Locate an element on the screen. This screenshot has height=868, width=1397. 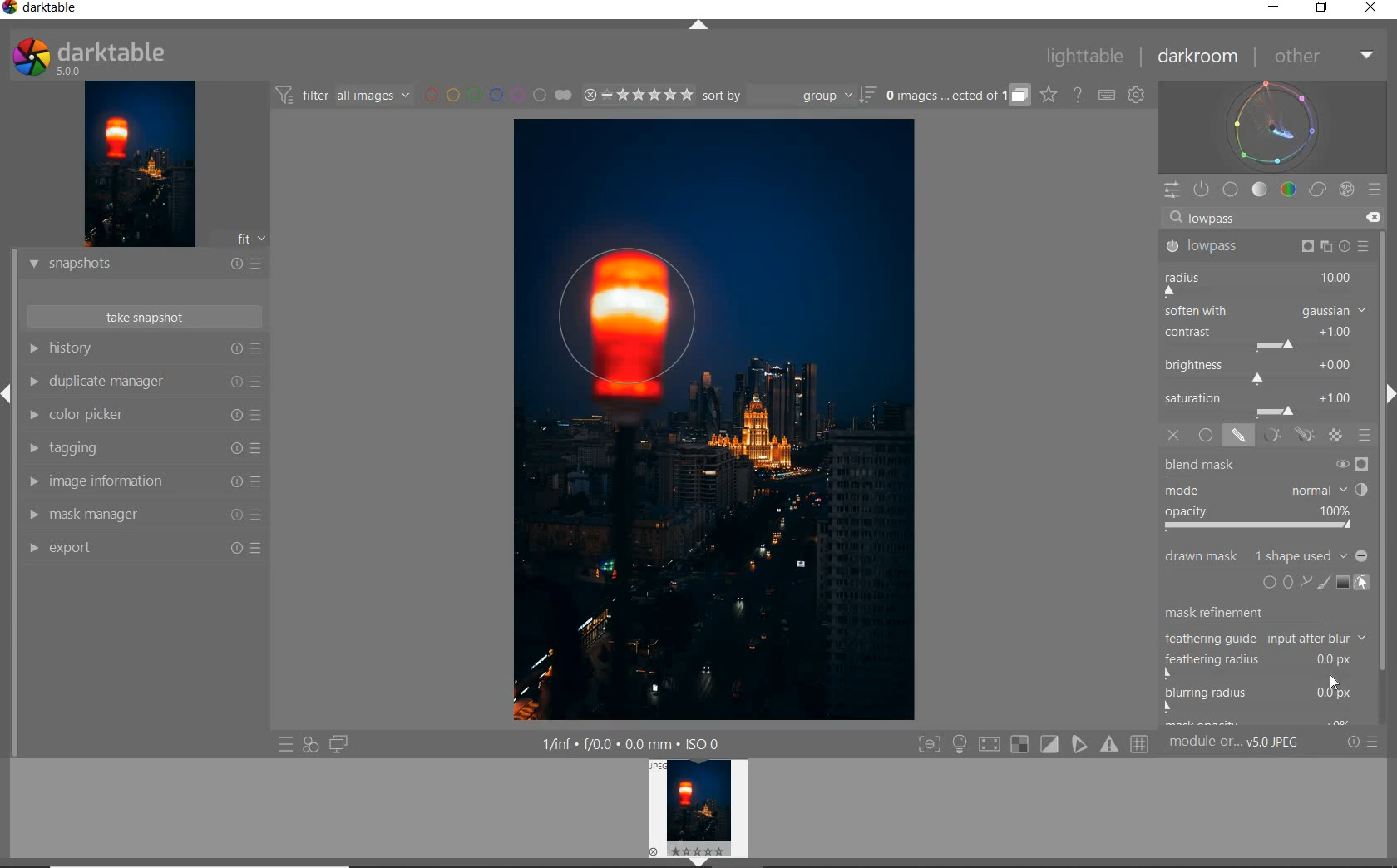
SYSTEM LOG is located at coordinates (106, 56).